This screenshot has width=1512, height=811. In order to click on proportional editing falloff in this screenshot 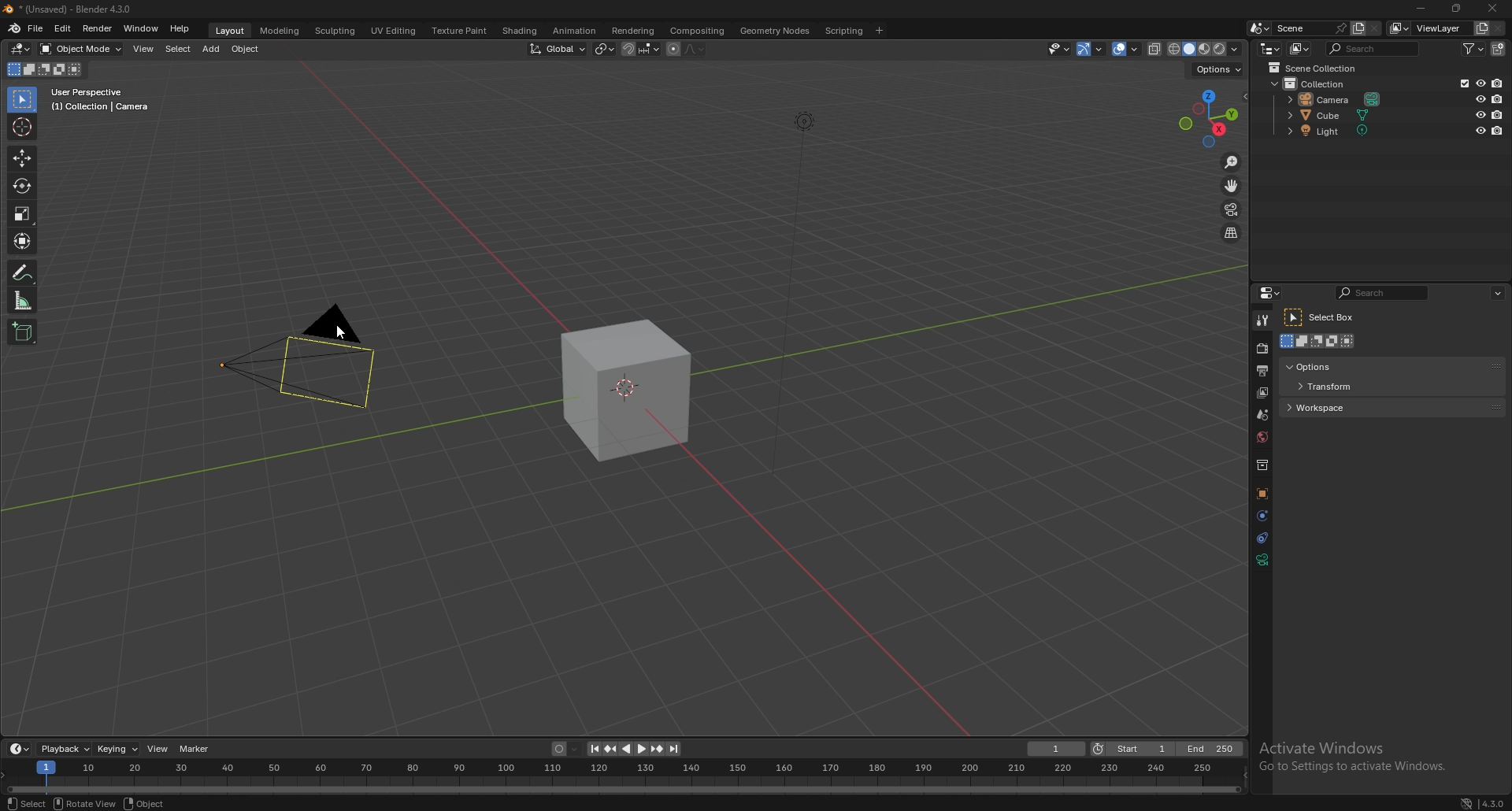, I will do `click(695, 49)`.